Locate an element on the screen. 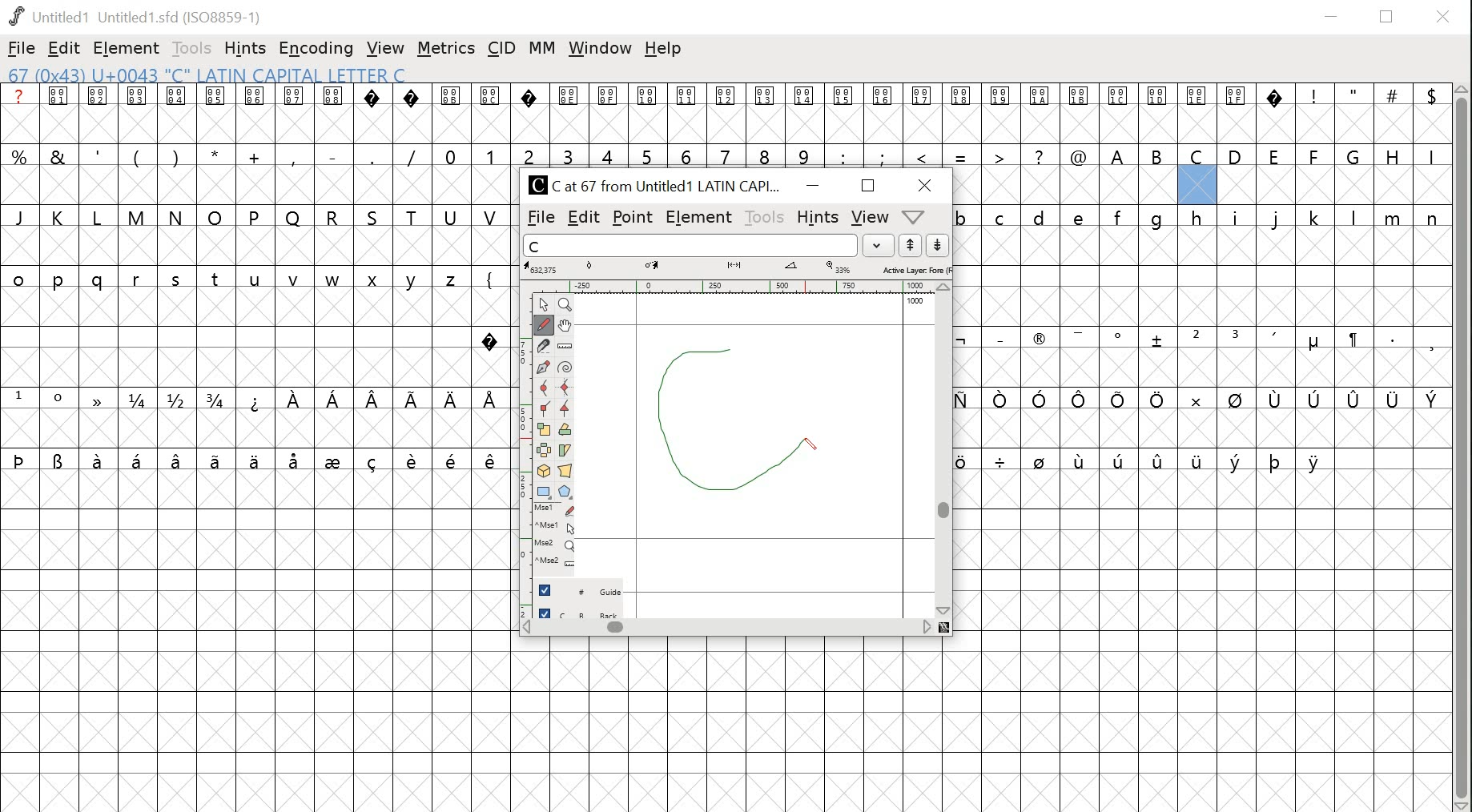 This screenshot has height=812, width=1472. corner is located at coordinates (546, 409).